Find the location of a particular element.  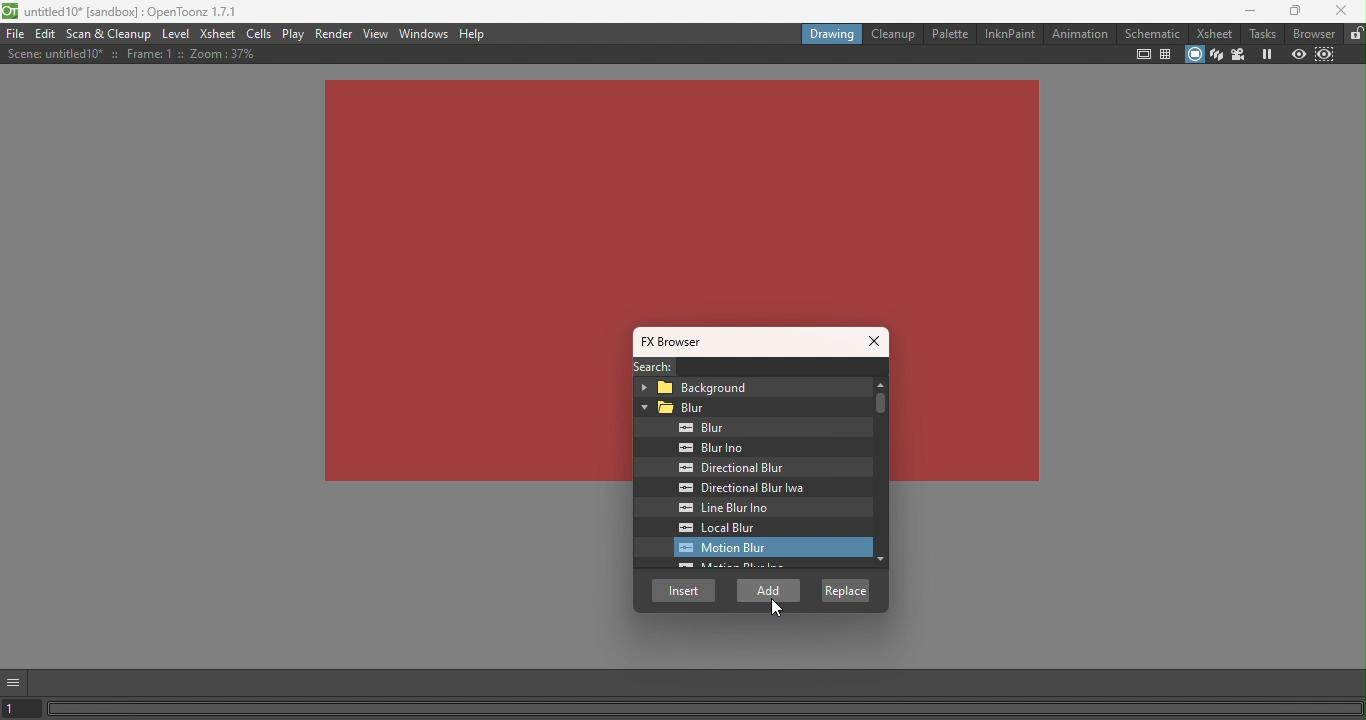

Directional blur Iwa is located at coordinates (735, 488).